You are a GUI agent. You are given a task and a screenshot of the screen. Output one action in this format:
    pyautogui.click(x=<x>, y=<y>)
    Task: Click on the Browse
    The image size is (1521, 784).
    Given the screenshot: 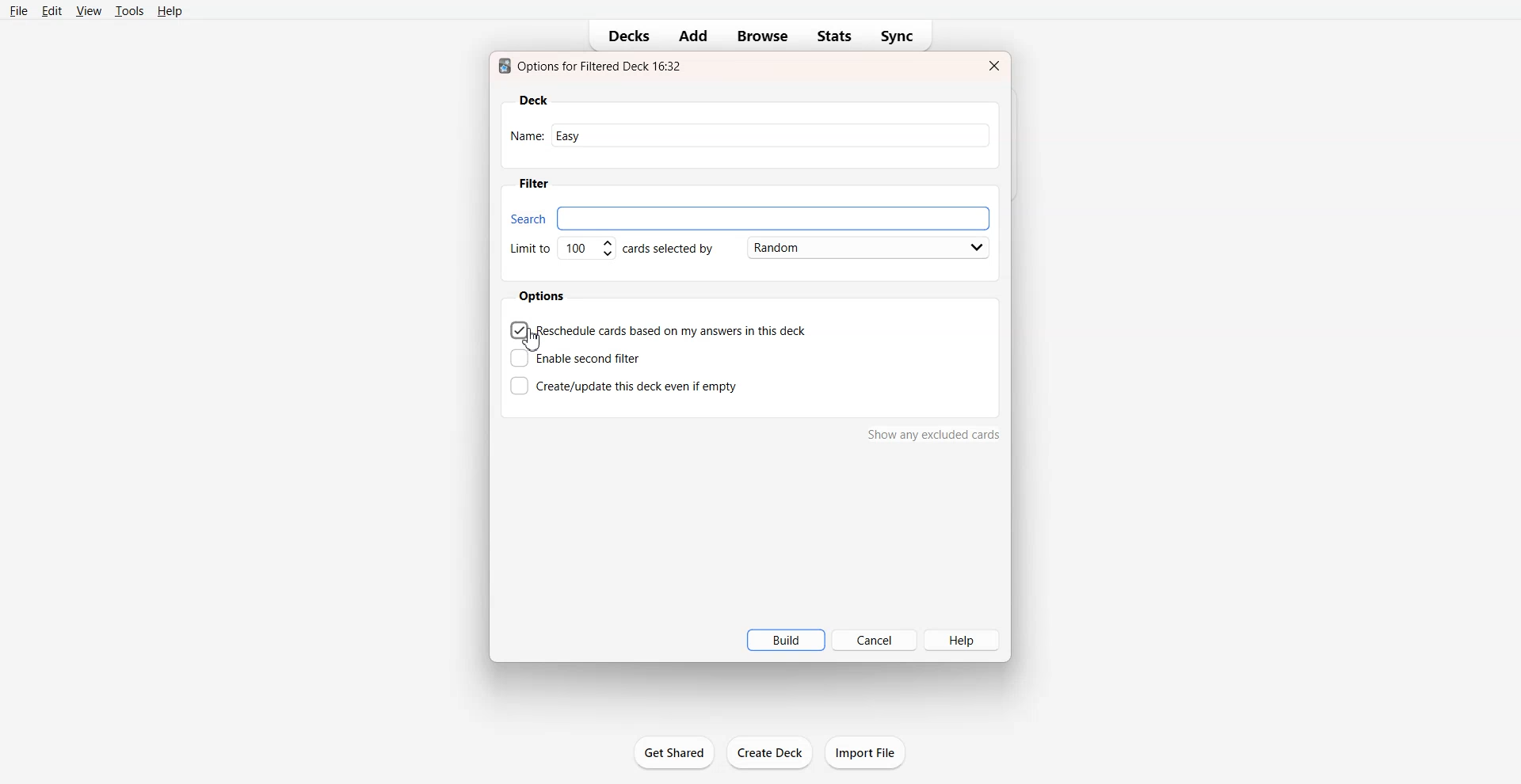 What is the action you would take?
    pyautogui.click(x=764, y=36)
    